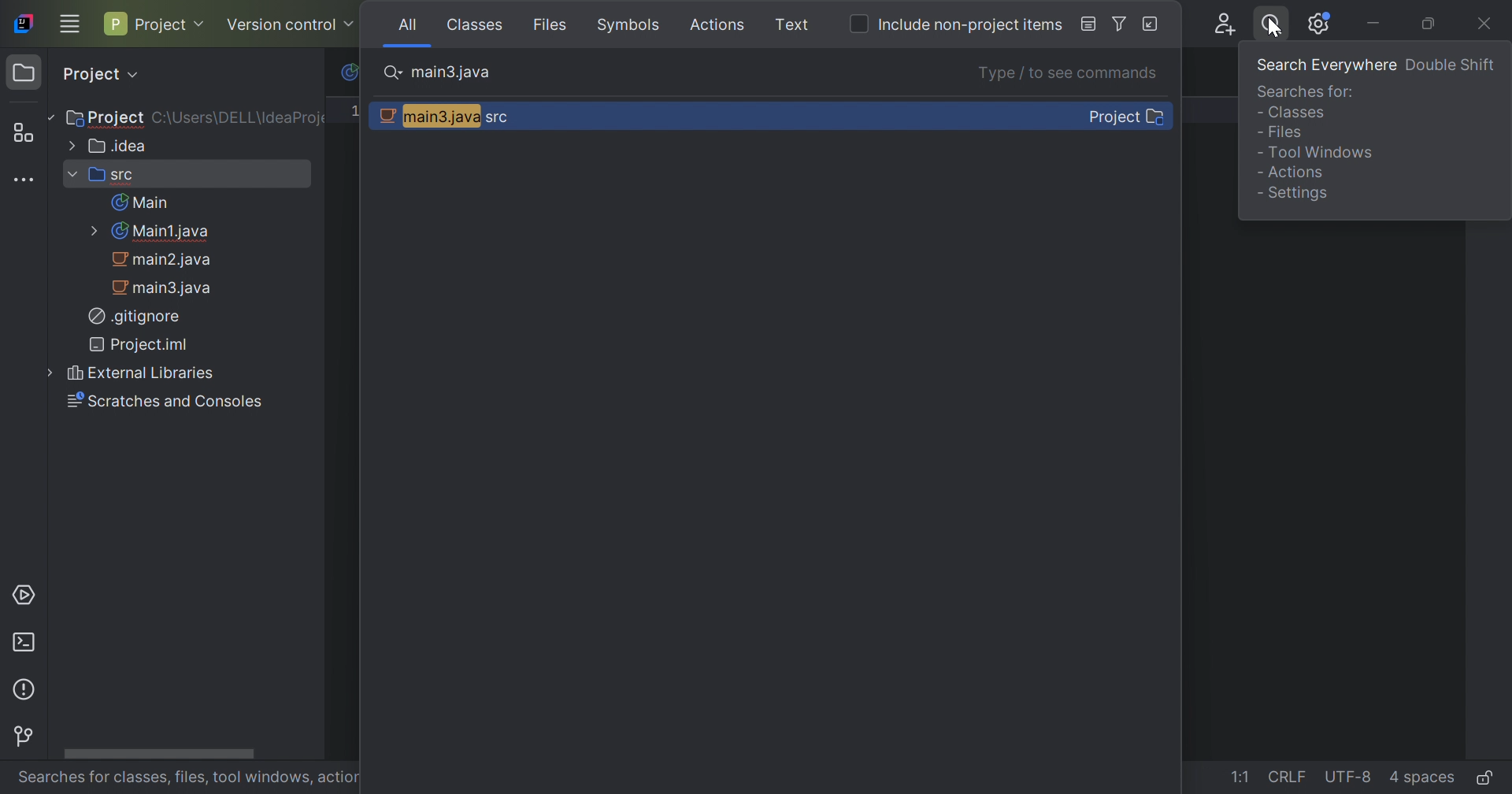 This screenshot has width=1512, height=794. I want to click on Minimize, so click(1374, 25).